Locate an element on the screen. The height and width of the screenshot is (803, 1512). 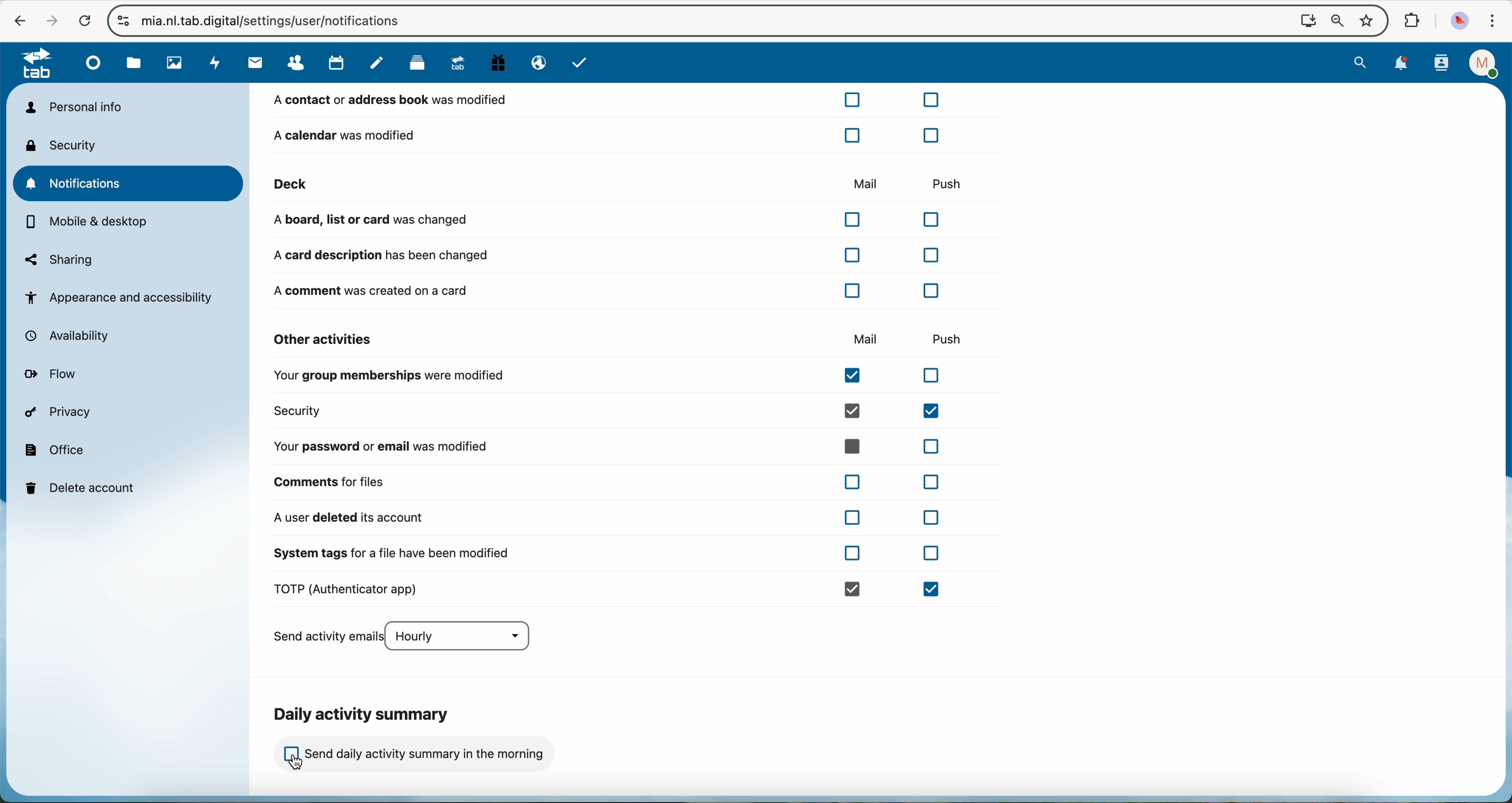
customize and control Google Chrome is located at coordinates (1494, 21).